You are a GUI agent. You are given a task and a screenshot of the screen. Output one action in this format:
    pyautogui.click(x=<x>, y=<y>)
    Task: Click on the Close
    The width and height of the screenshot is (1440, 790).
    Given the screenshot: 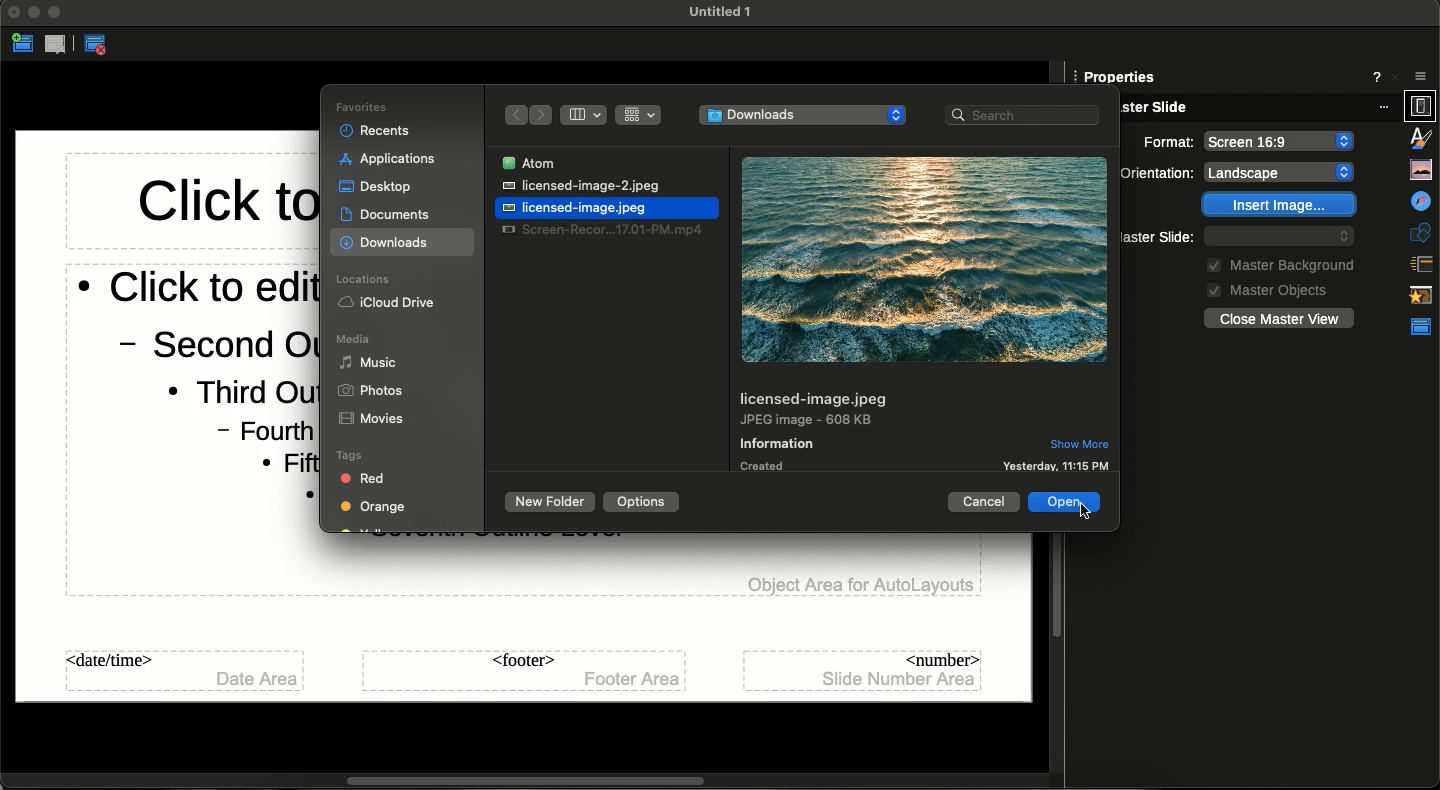 What is the action you would take?
    pyautogui.click(x=14, y=14)
    